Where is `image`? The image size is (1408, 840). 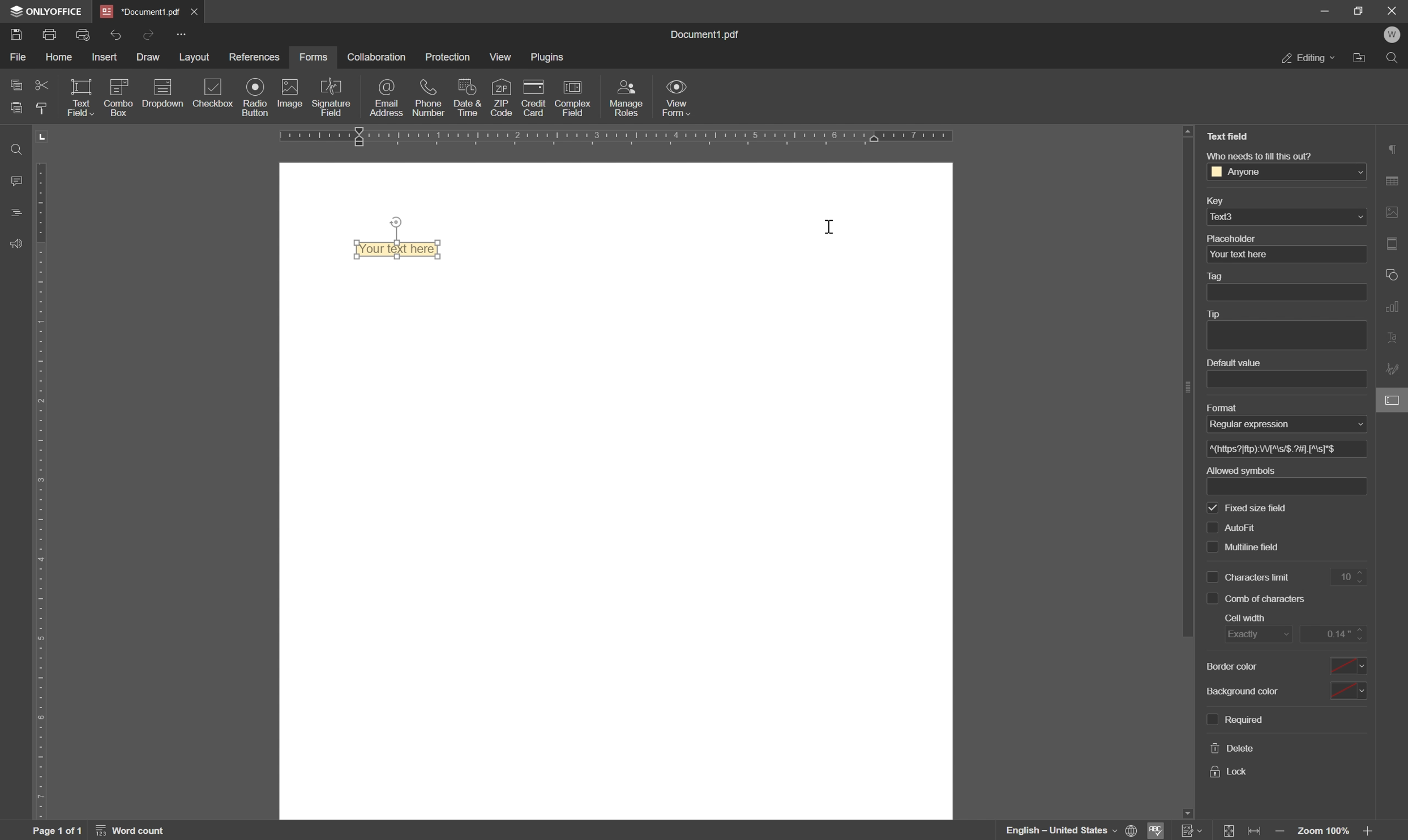 image is located at coordinates (289, 94).